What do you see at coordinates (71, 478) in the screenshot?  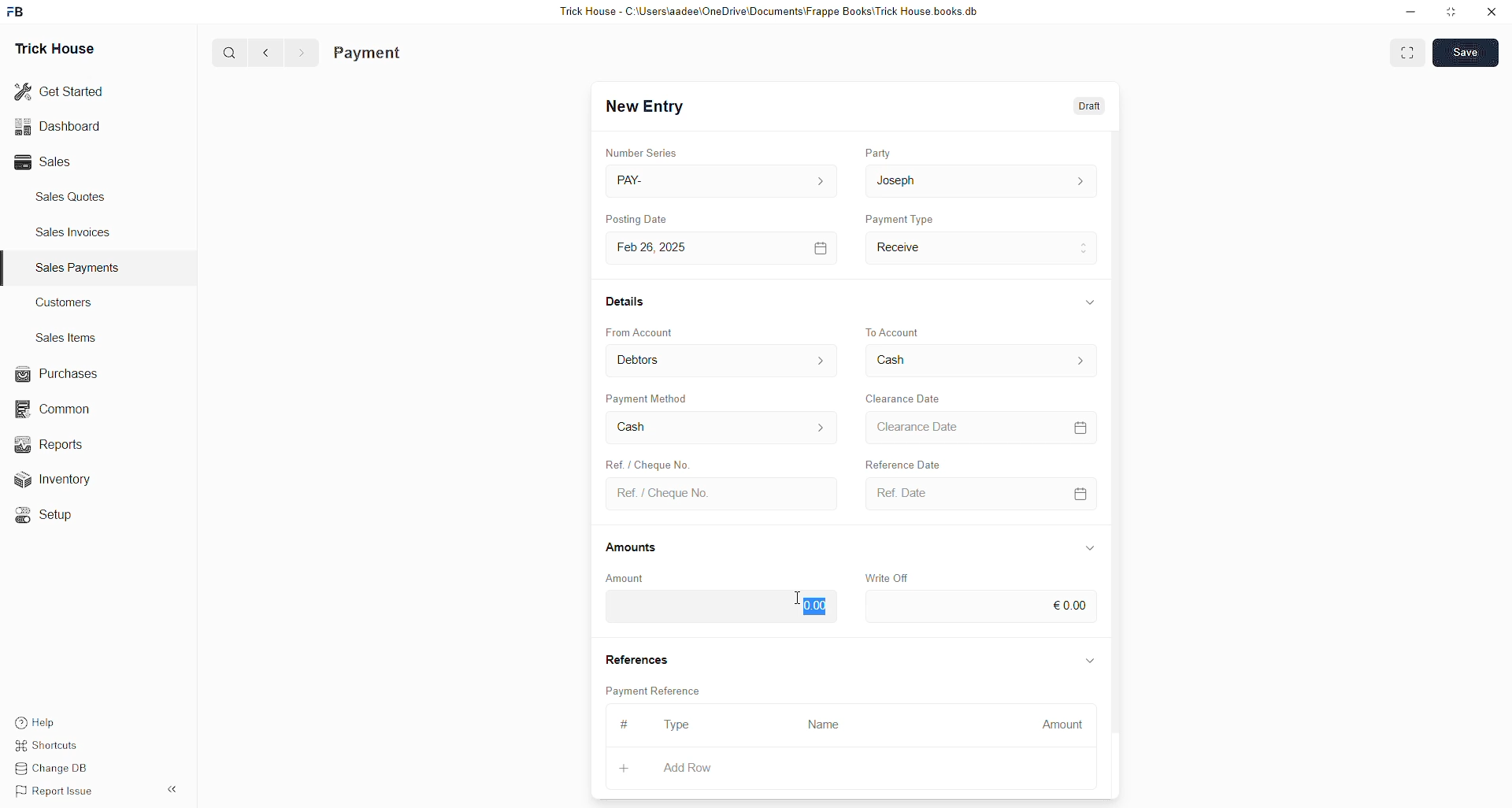 I see `Inventory` at bounding box center [71, 478].